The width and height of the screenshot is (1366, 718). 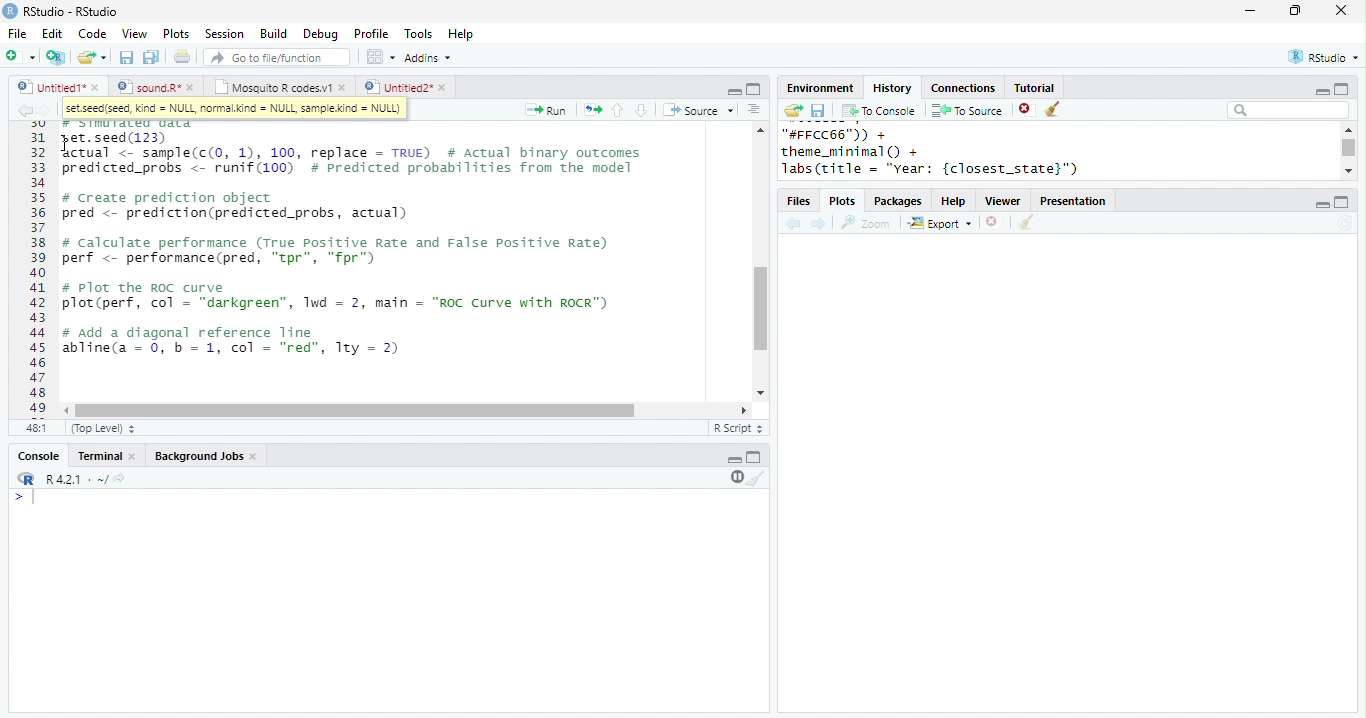 I want to click on Packages, so click(x=898, y=202).